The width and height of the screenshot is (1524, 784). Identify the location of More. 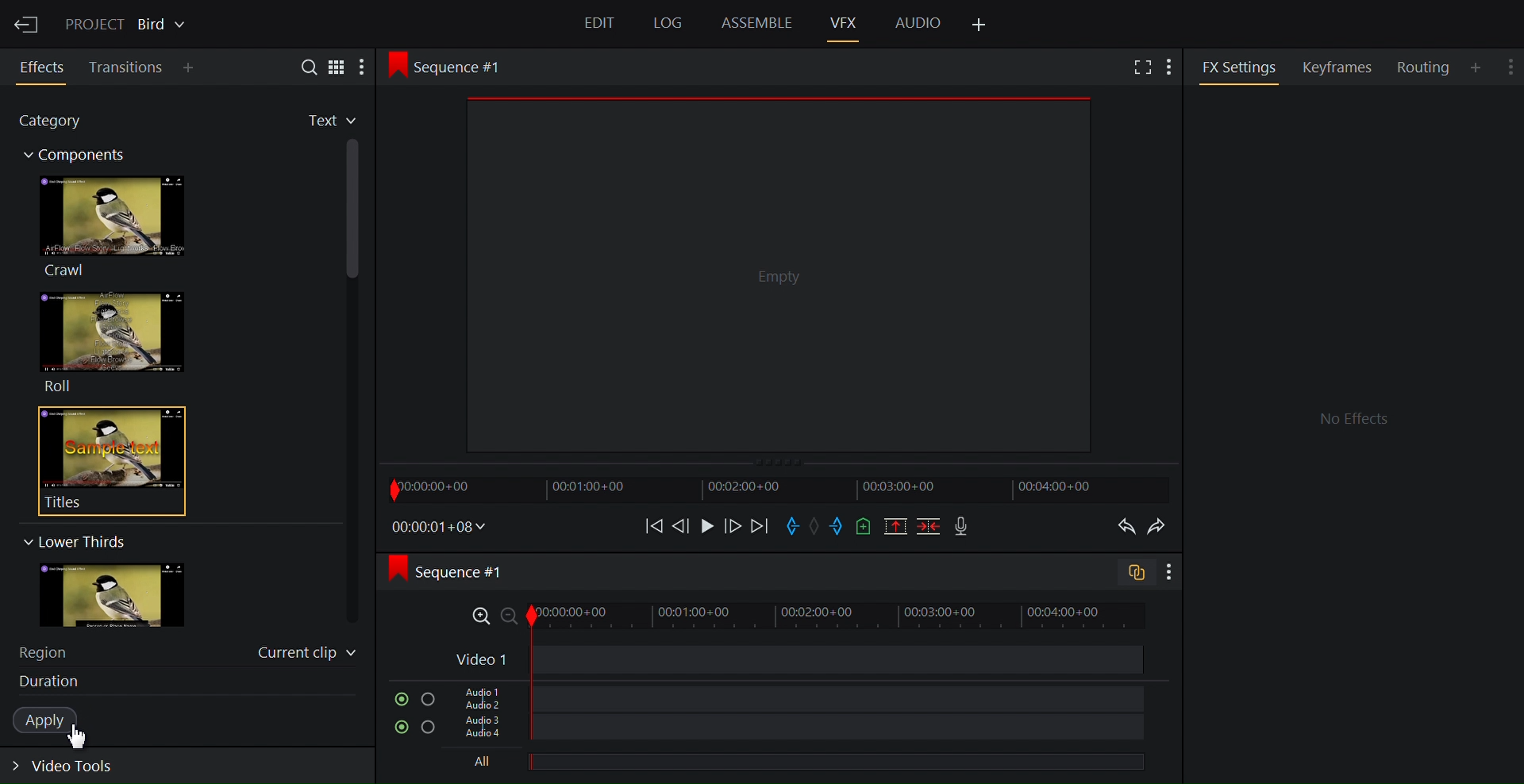
(368, 67).